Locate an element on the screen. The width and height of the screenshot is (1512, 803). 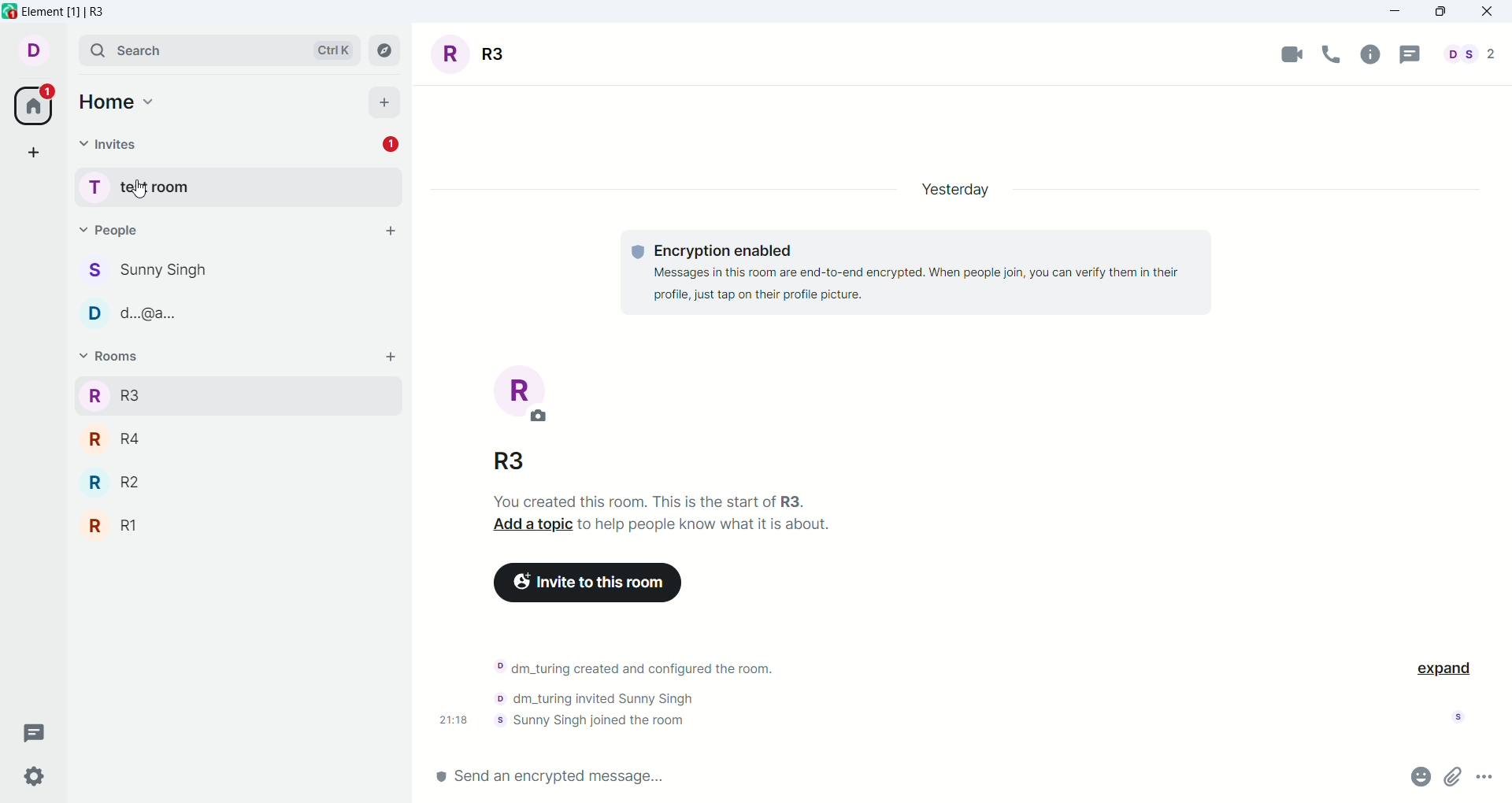
R3 is located at coordinates (507, 462).